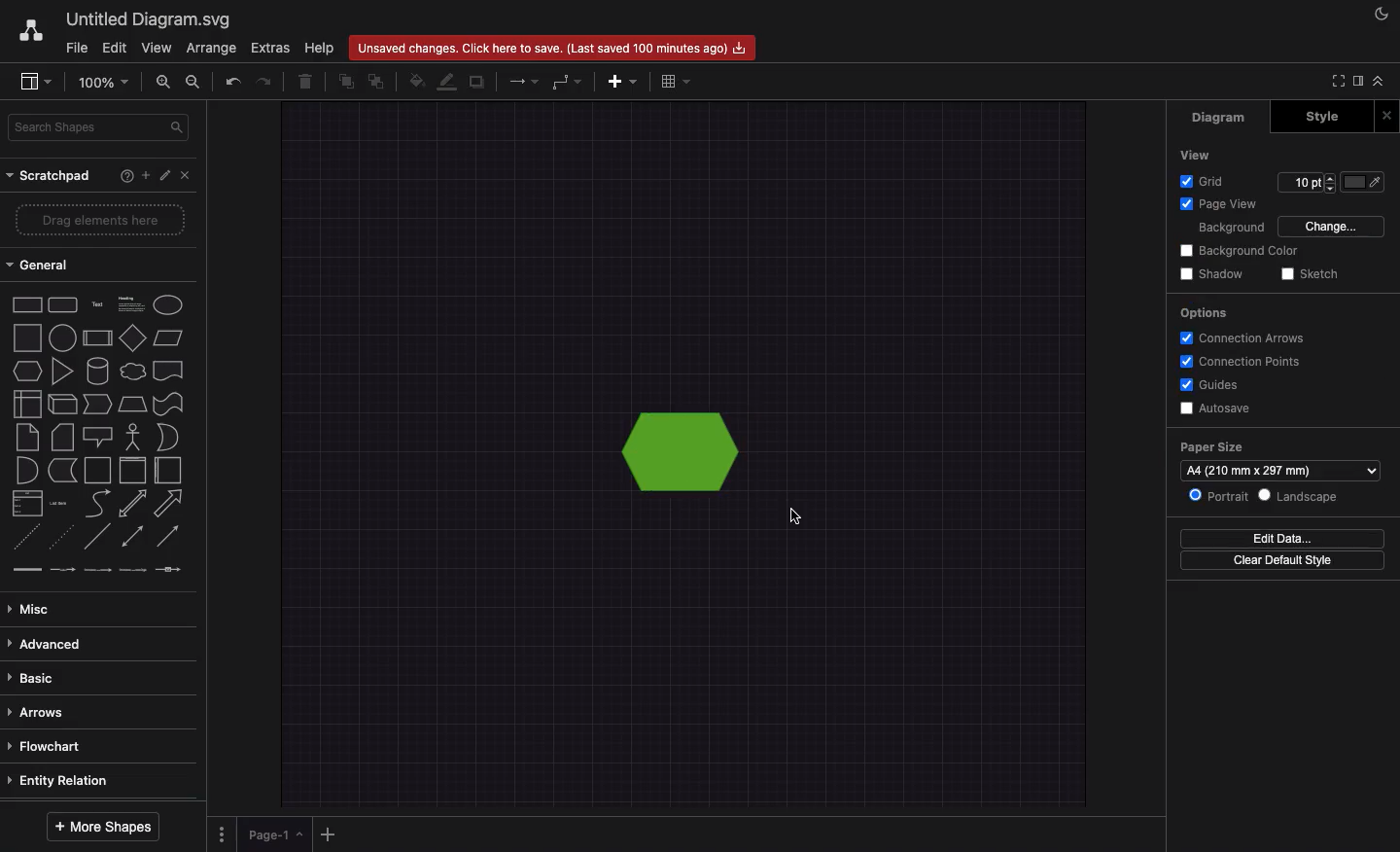 Image resolution: width=1400 pixels, height=852 pixels. Describe the element at coordinates (41, 263) in the screenshot. I see `General ` at that location.